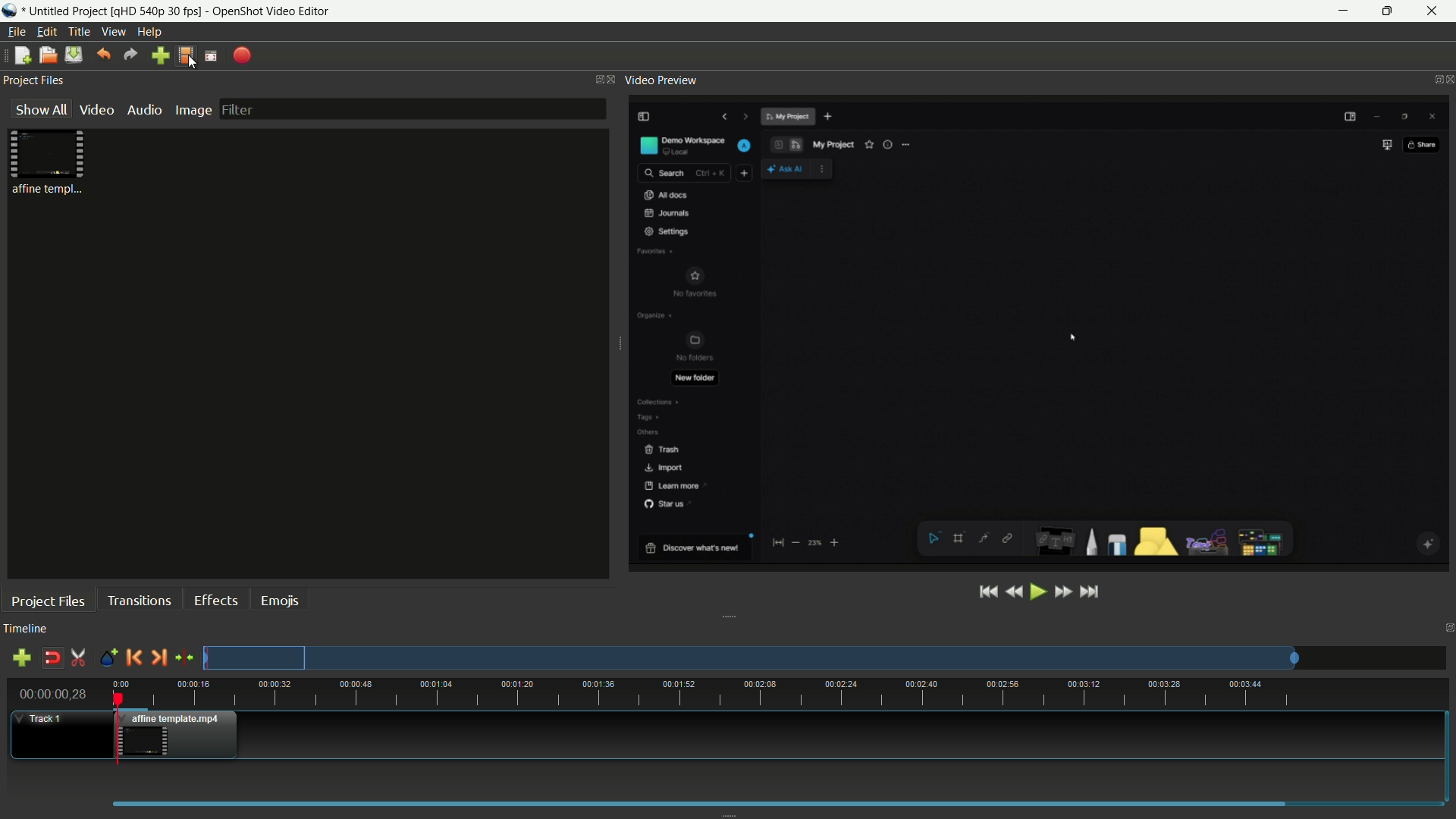 Image resolution: width=1456 pixels, height=819 pixels. What do you see at coordinates (1091, 592) in the screenshot?
I see `jump to end` at bounding box center [1091, 592].